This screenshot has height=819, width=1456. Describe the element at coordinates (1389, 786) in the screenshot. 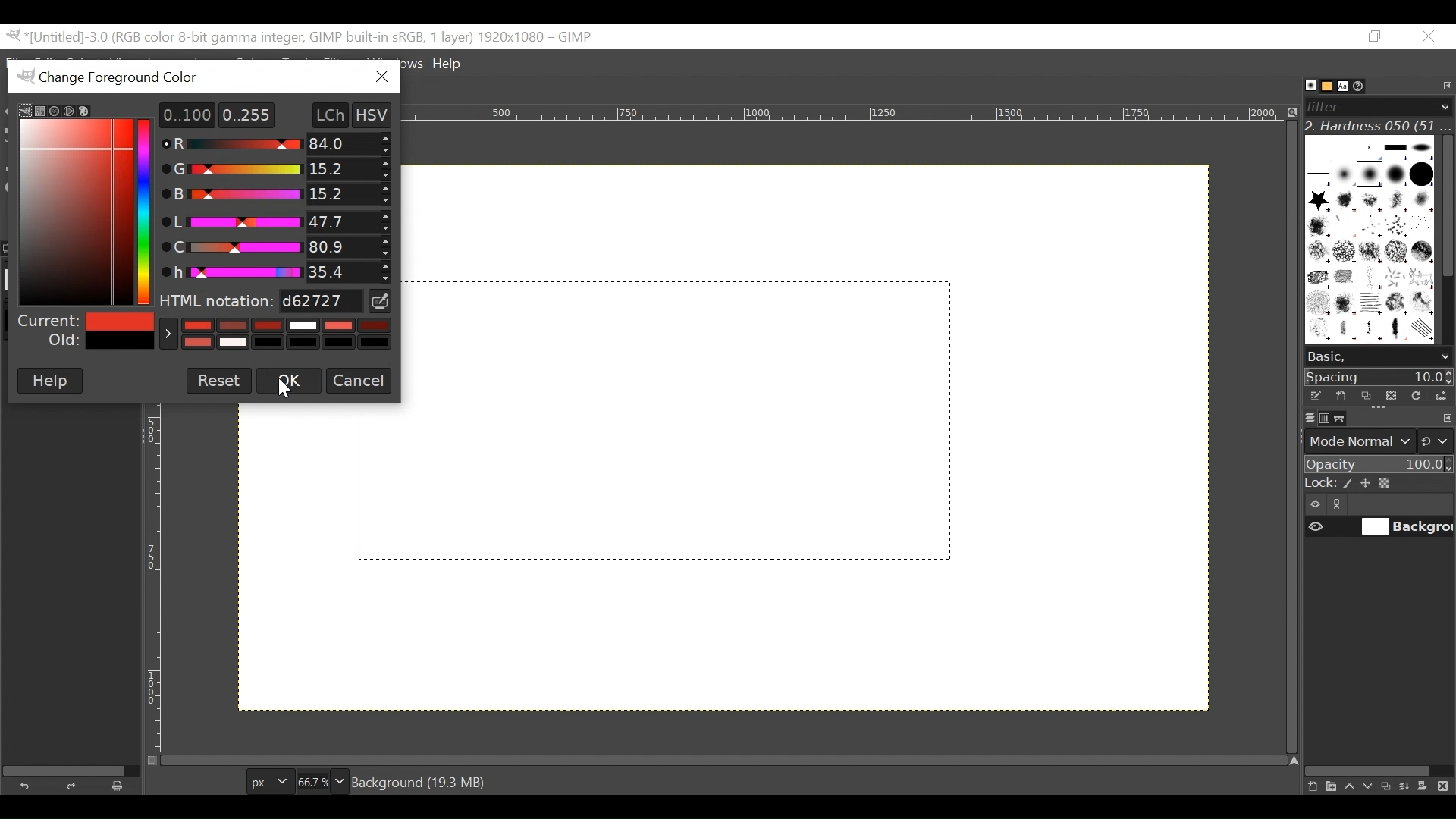

I see `Duplicate this layer` at that location.